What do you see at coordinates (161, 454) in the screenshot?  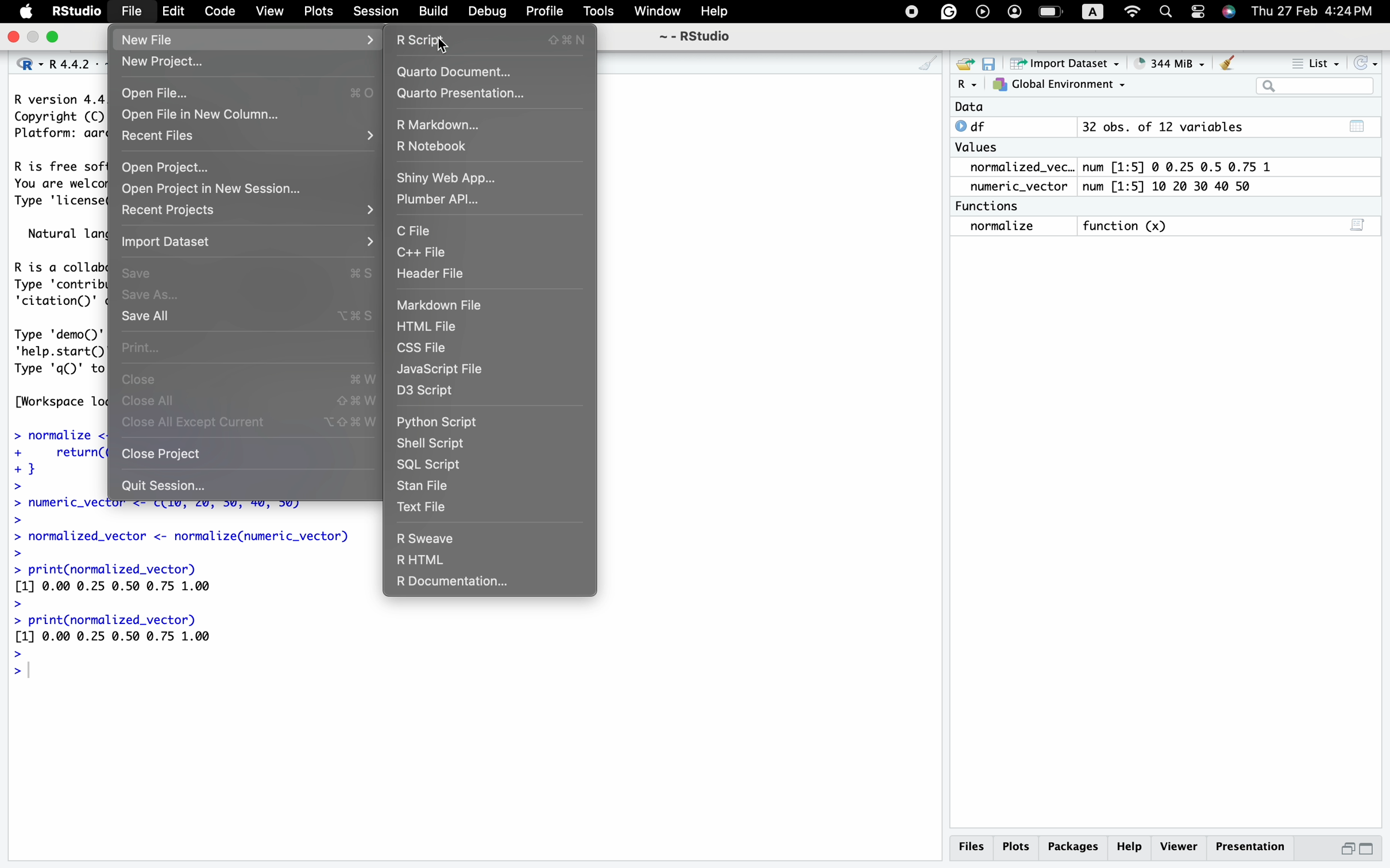 I see `Close project` at bounding box center [161, 454].